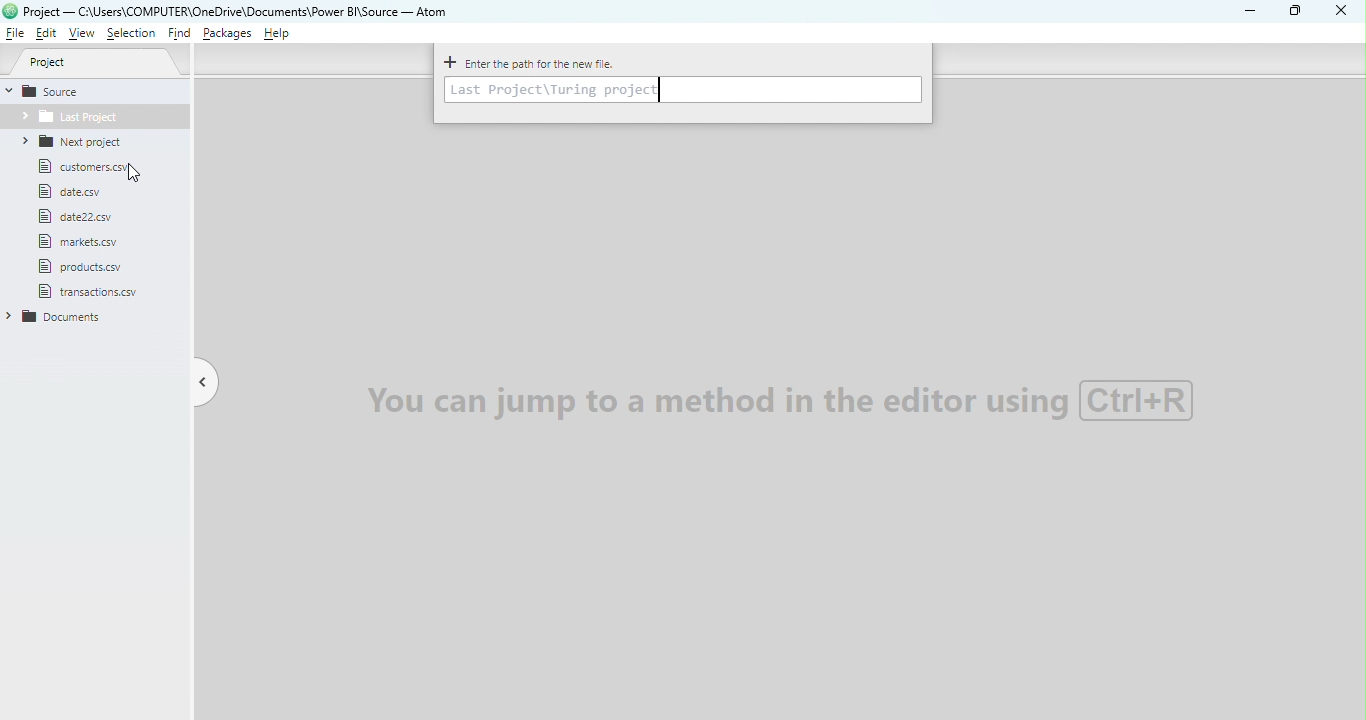  What do you see at coordinates (179, 35) in the screenshot?
I see `Find` at bounding box center [179, 35].